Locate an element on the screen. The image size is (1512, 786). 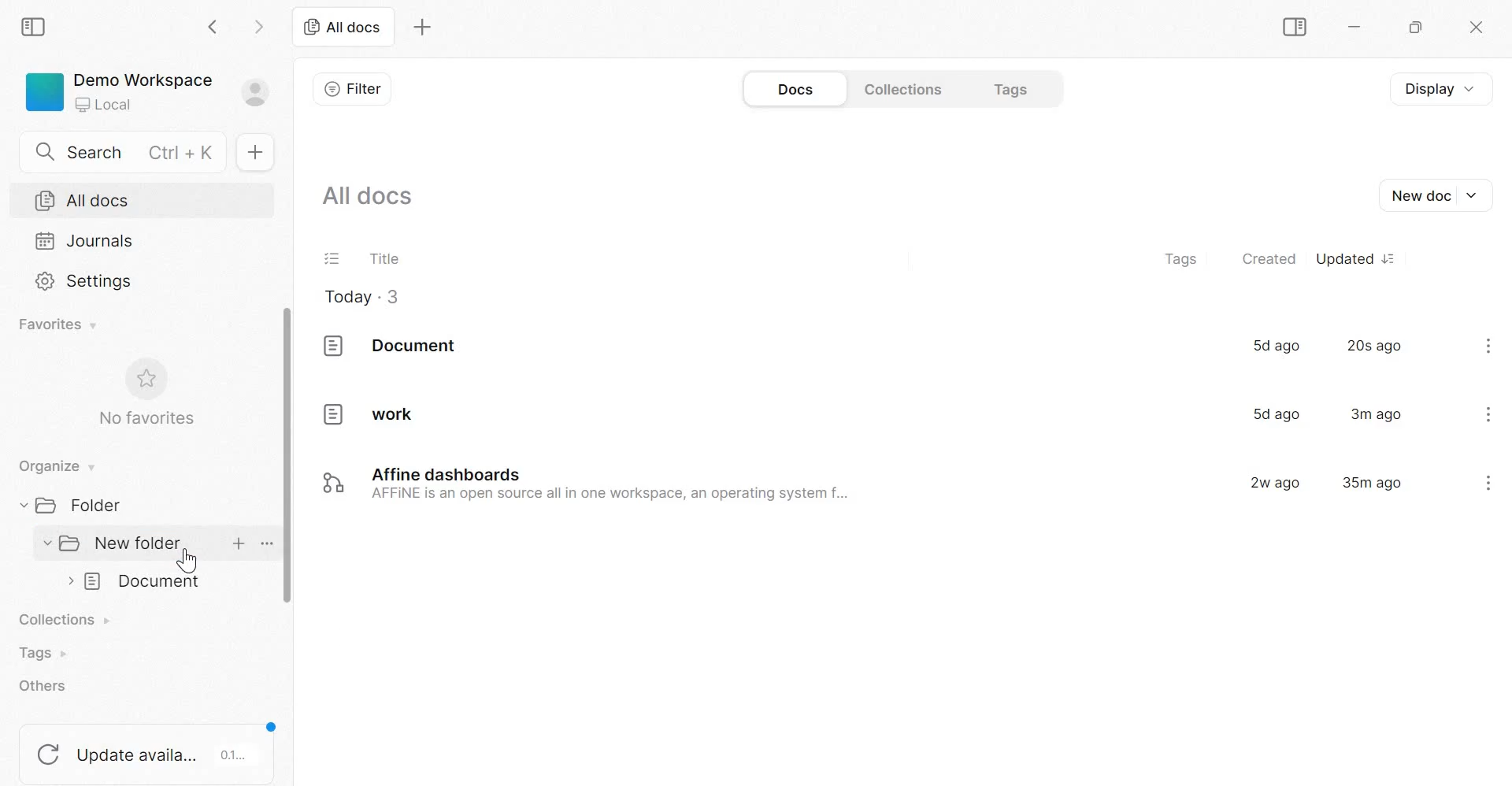
Search  is located at coordinates (120, 152).